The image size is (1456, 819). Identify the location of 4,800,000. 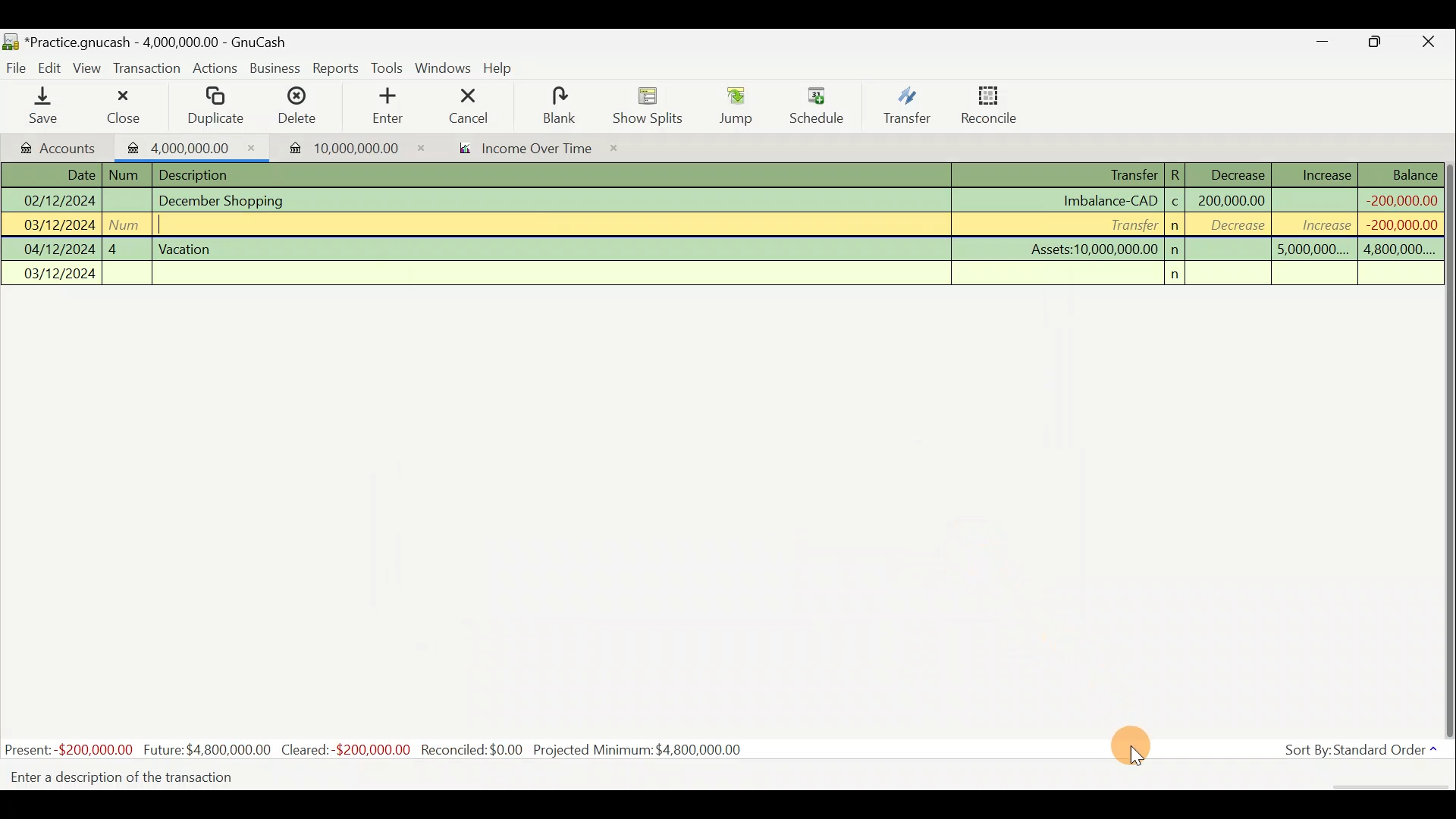
(1398, 250).